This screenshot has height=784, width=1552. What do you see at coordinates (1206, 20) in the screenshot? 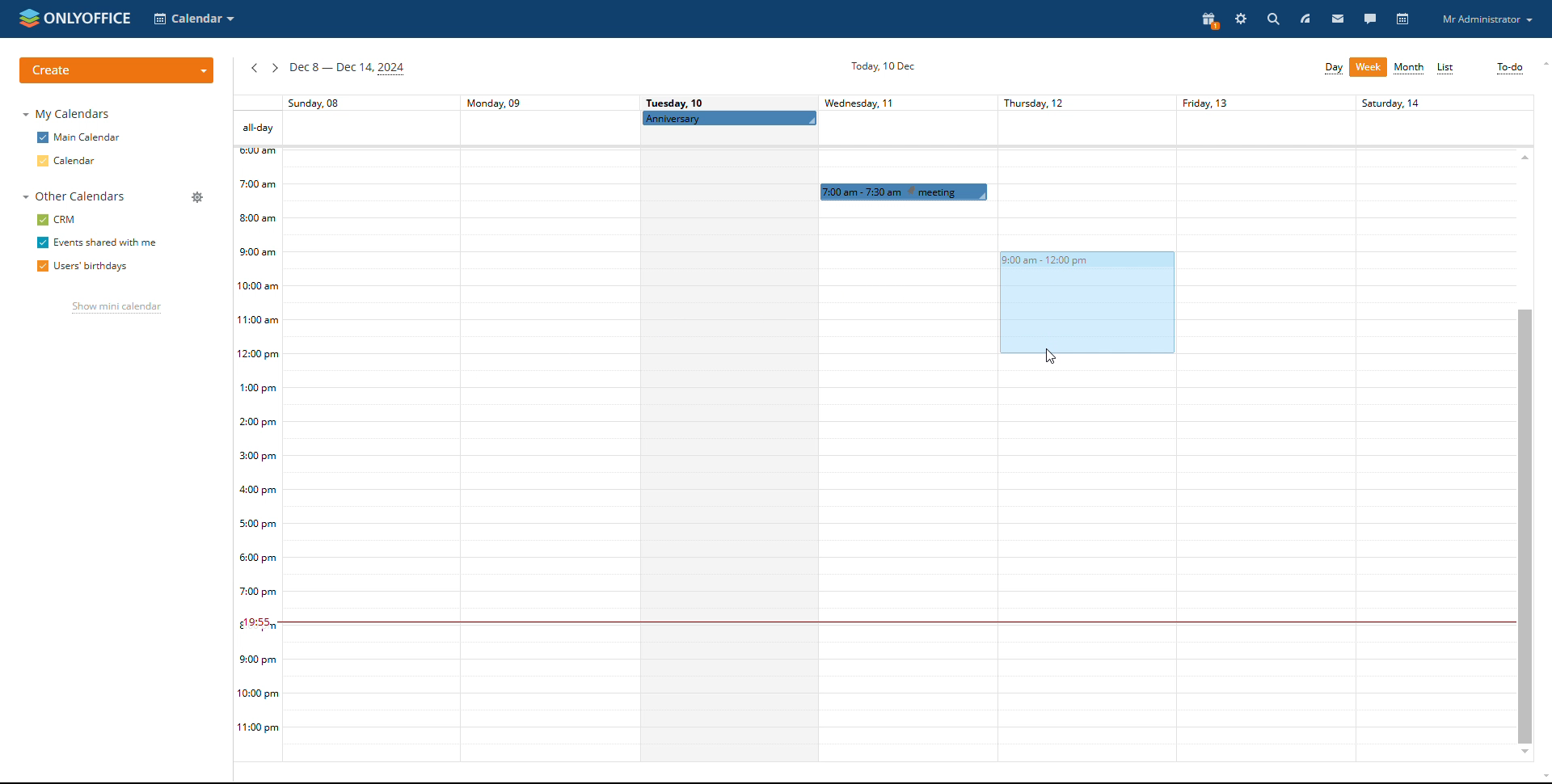
I see `present` at bounding box center [1206, 20].